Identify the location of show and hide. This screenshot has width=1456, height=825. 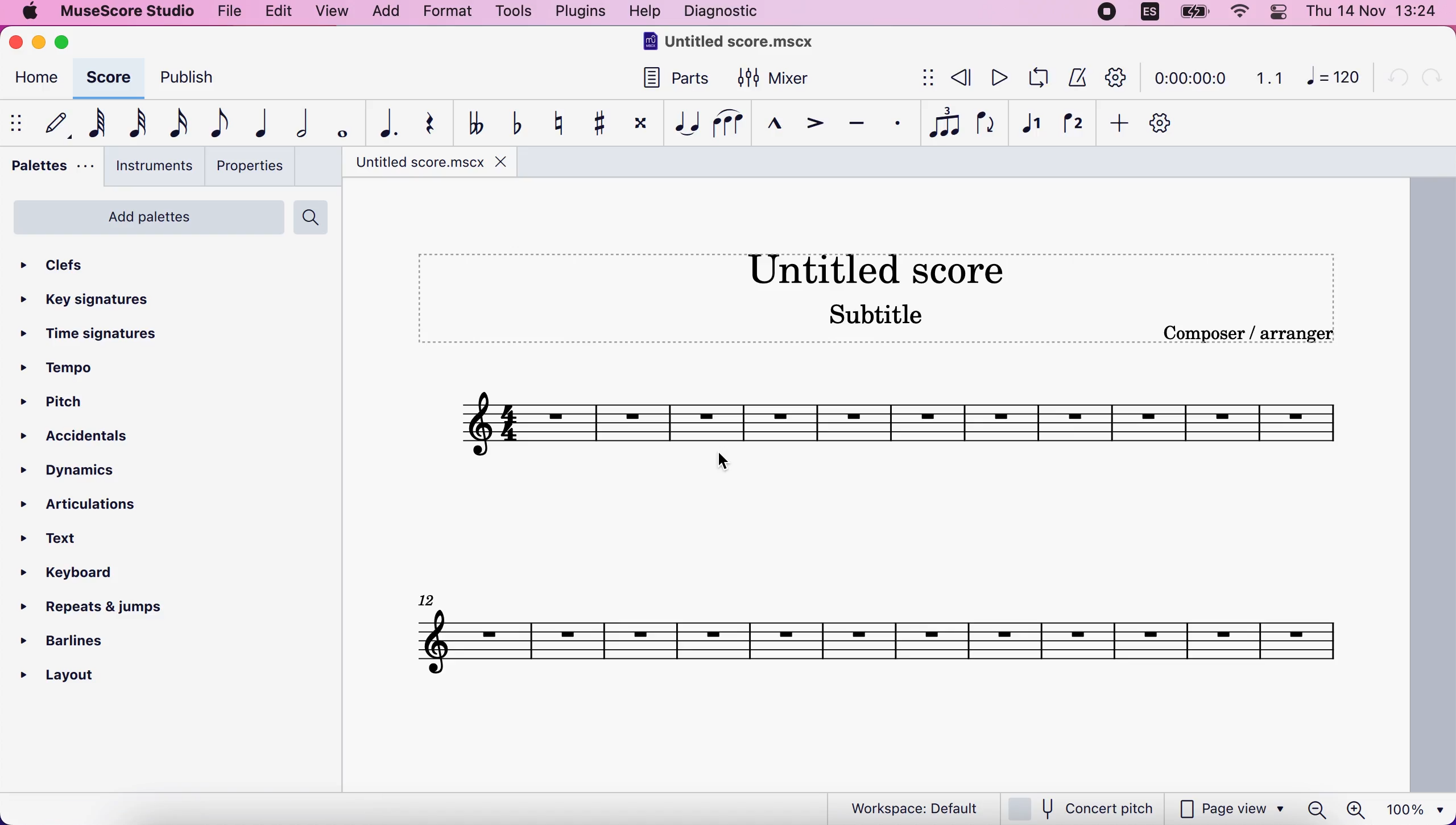
(924, 81).